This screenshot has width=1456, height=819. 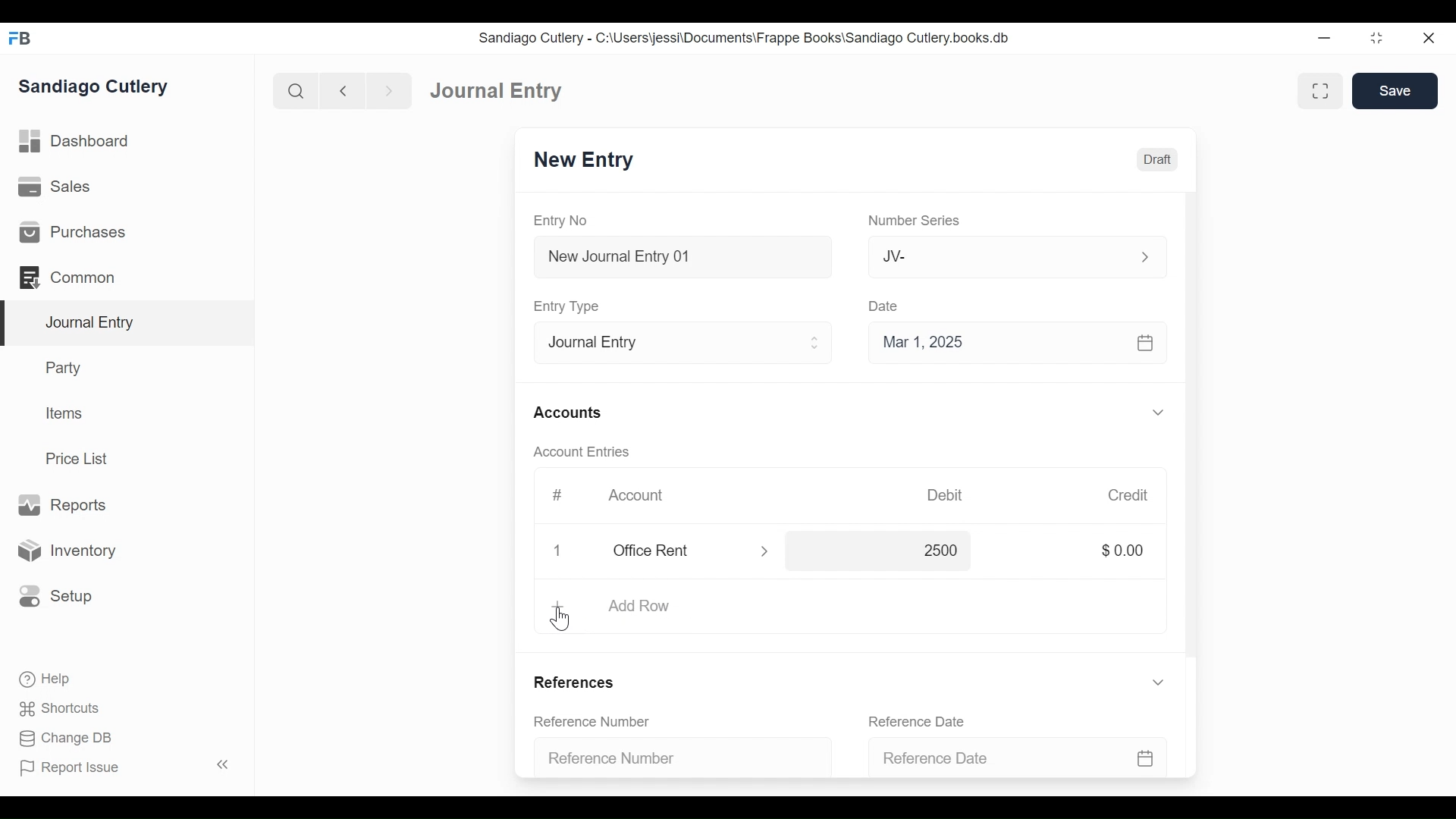 What do you see at coordinates (1378, 37) in the screenshot?
I see `maximize` at bounding box center [1378, 37].